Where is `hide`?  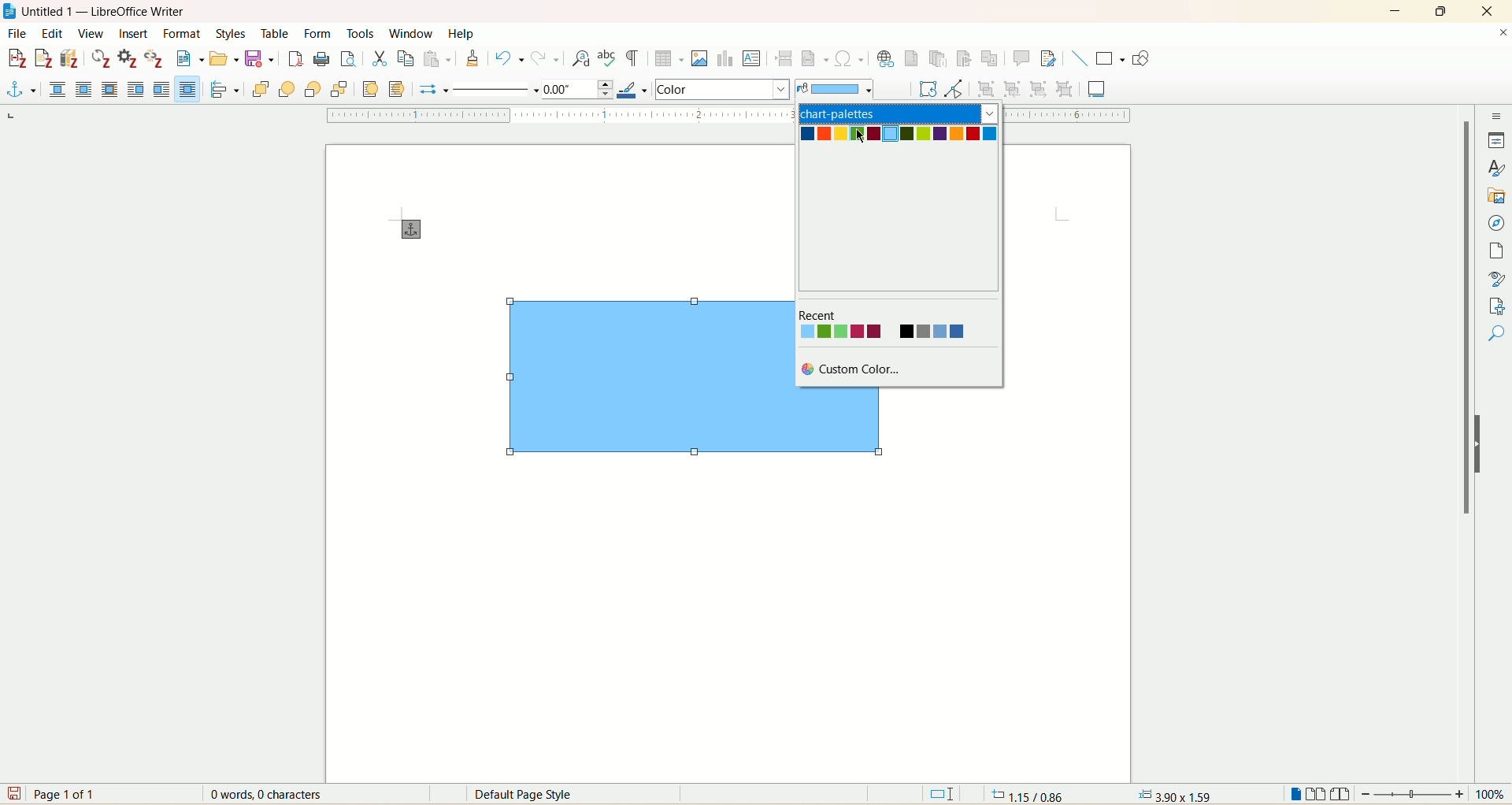 hide is located at coordinates (1477, 446).